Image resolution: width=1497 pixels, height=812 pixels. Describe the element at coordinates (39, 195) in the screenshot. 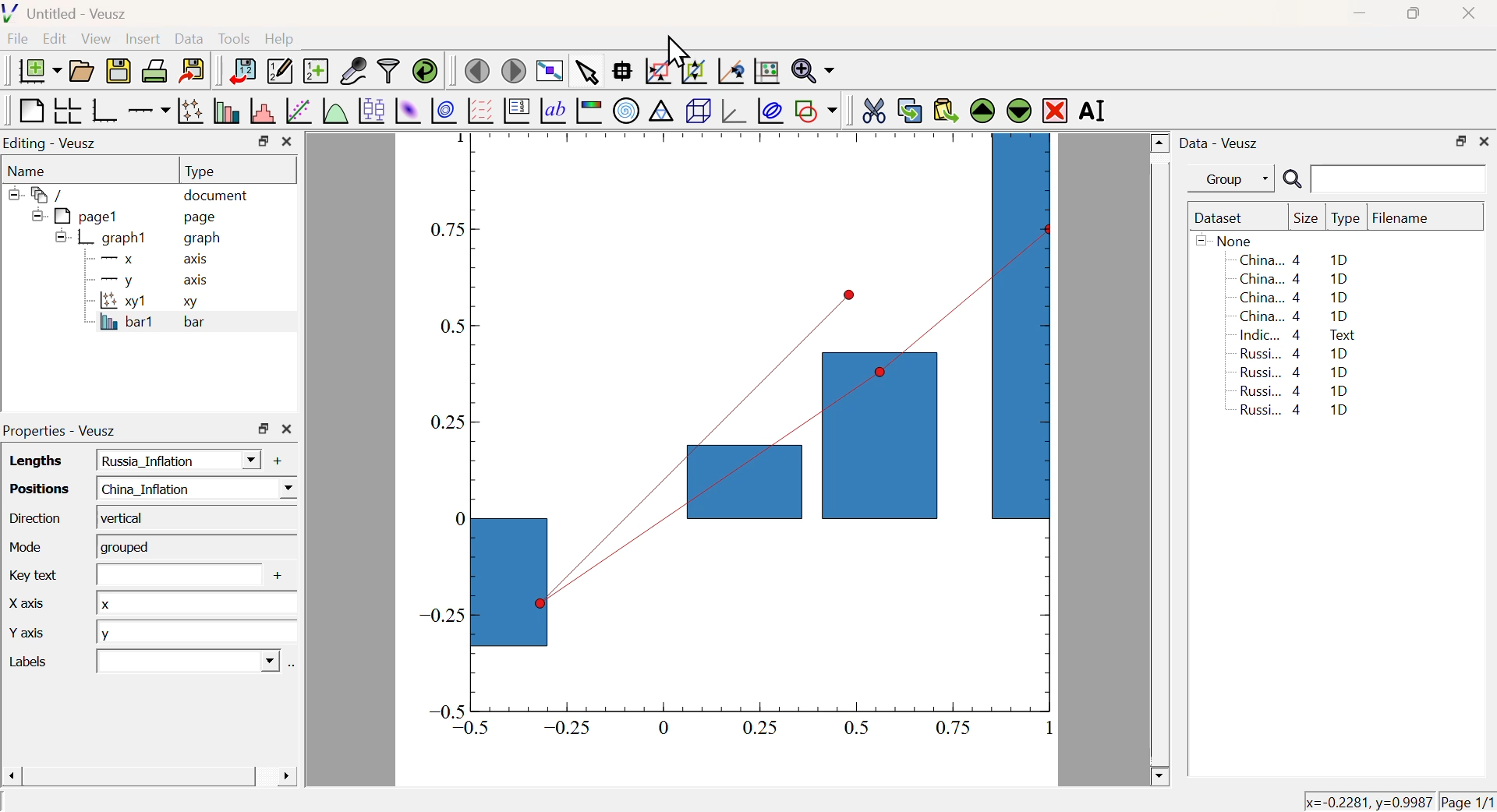

I see `/` at that location.